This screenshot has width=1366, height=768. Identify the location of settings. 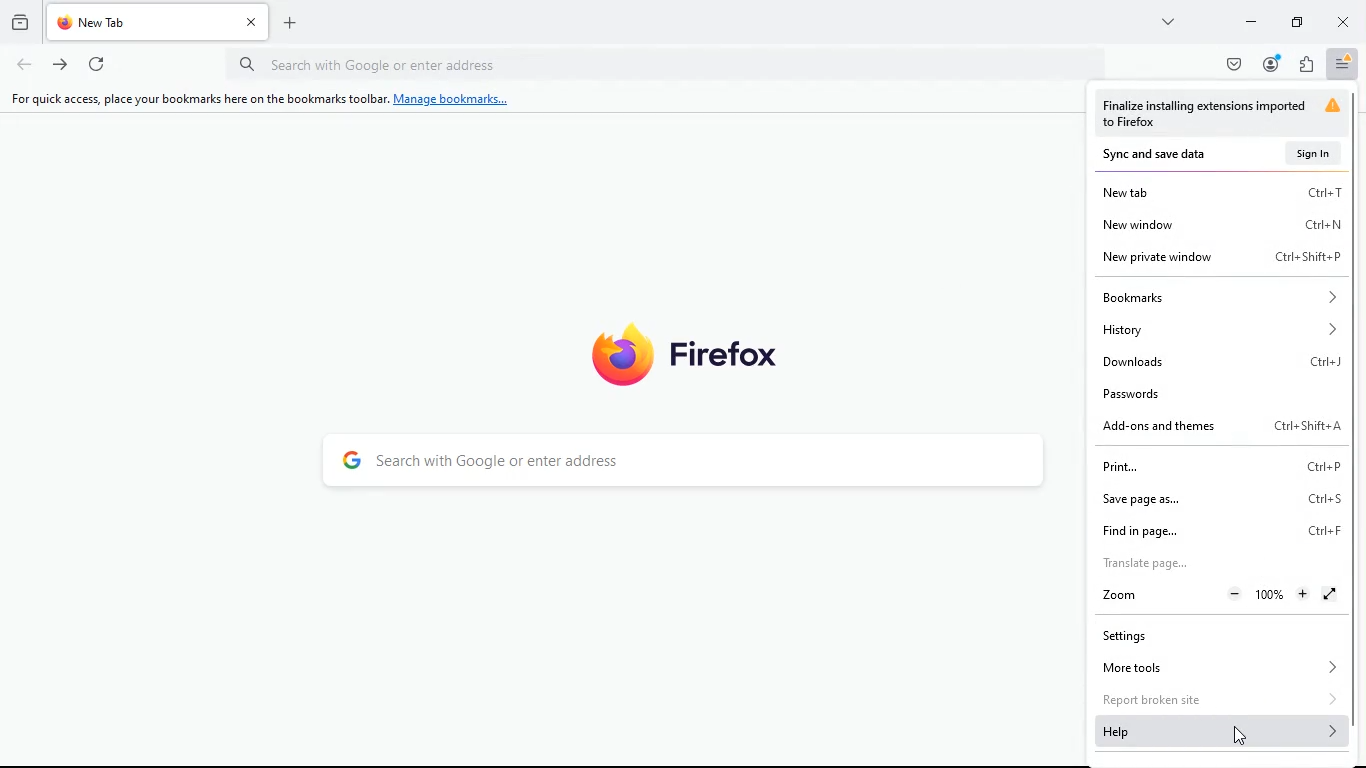
(1222, 635).